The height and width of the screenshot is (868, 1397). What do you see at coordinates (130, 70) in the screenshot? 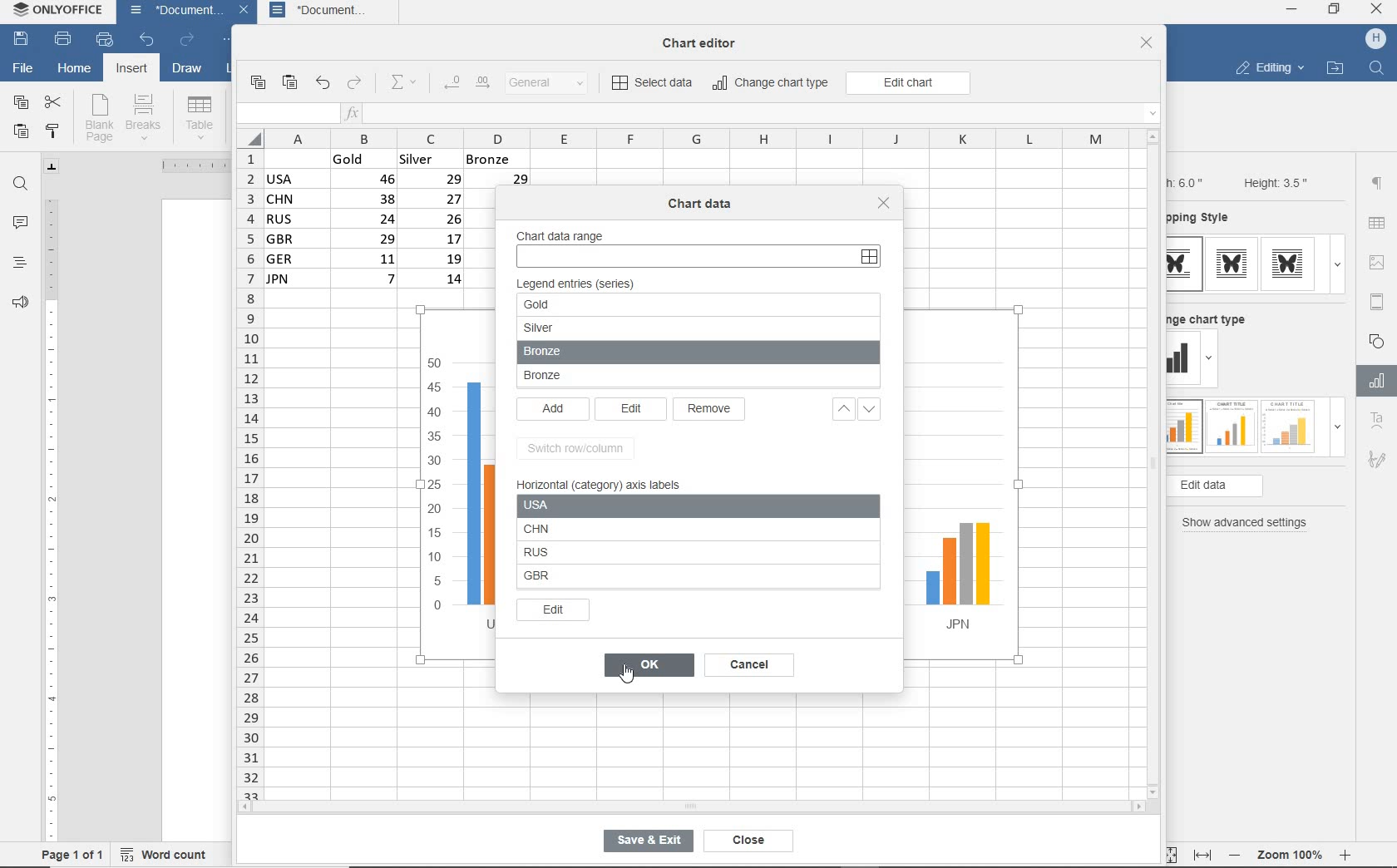
I see `insert` at bounding box center [130, 70].